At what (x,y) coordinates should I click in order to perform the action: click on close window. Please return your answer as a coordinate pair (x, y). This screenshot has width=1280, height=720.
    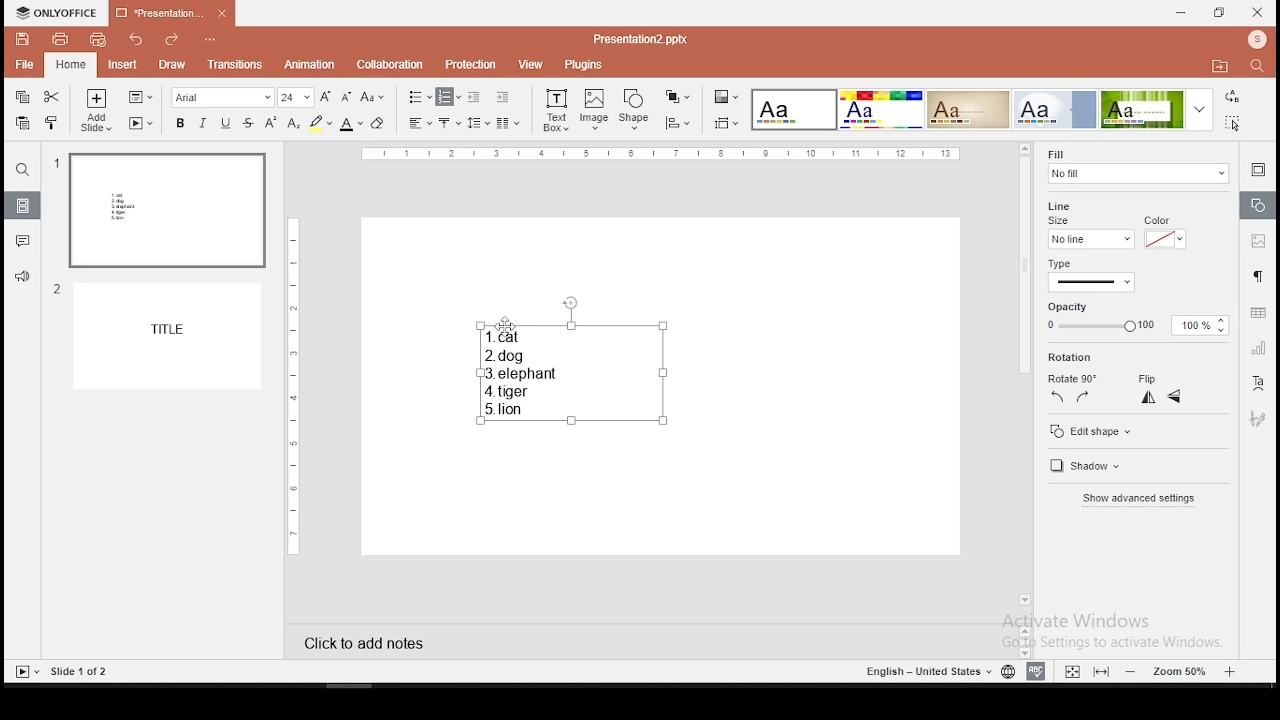
    Looking at the image, I should click on (1258, 12).